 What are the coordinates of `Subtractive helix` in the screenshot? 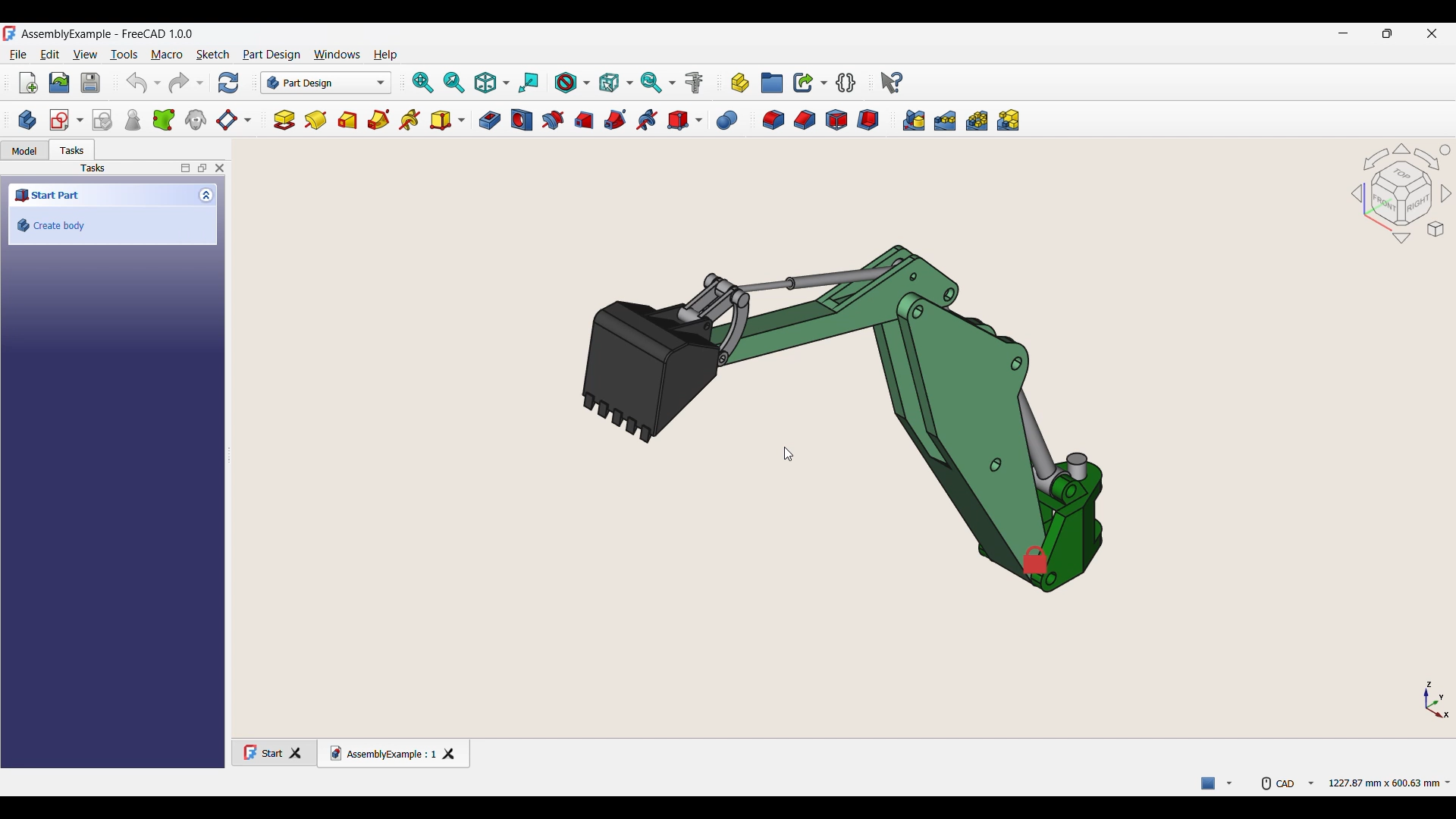 It's located at (648, 121).